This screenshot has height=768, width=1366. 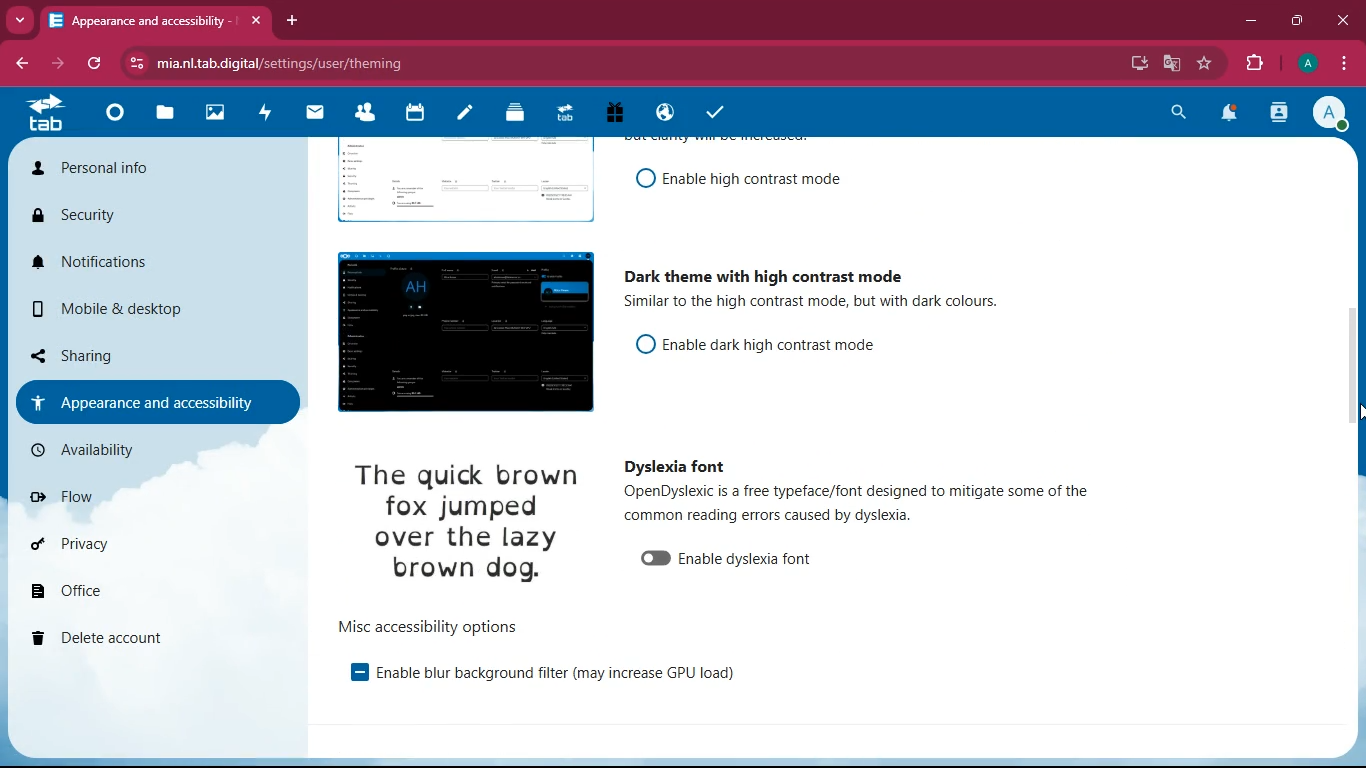 What do you see at coordinates (836, 303) in the screenshot?
I see `description` at bounding box center [836, 303].